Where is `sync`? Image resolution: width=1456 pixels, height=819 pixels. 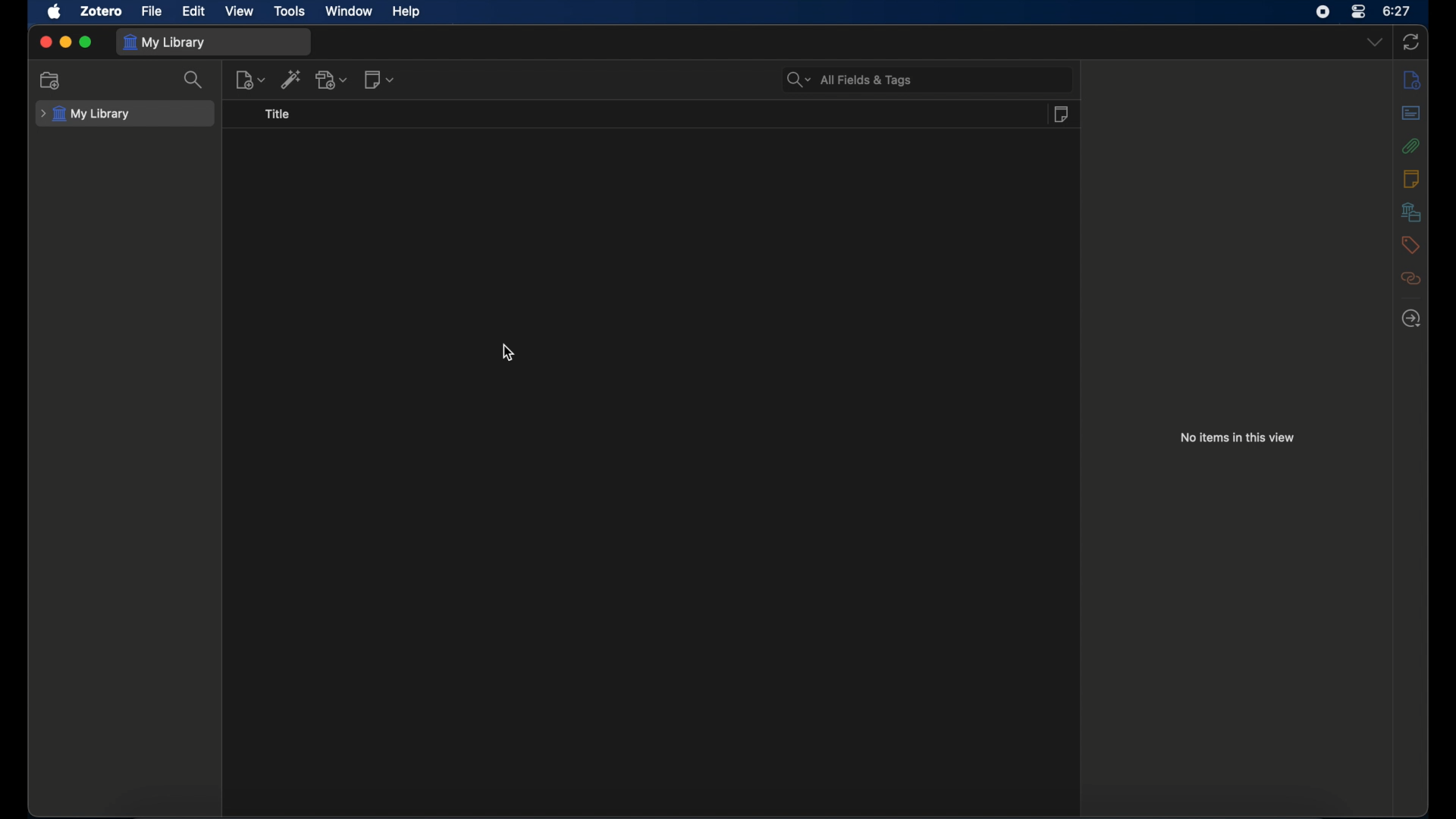 sync is located at coordinates (1411, 42).